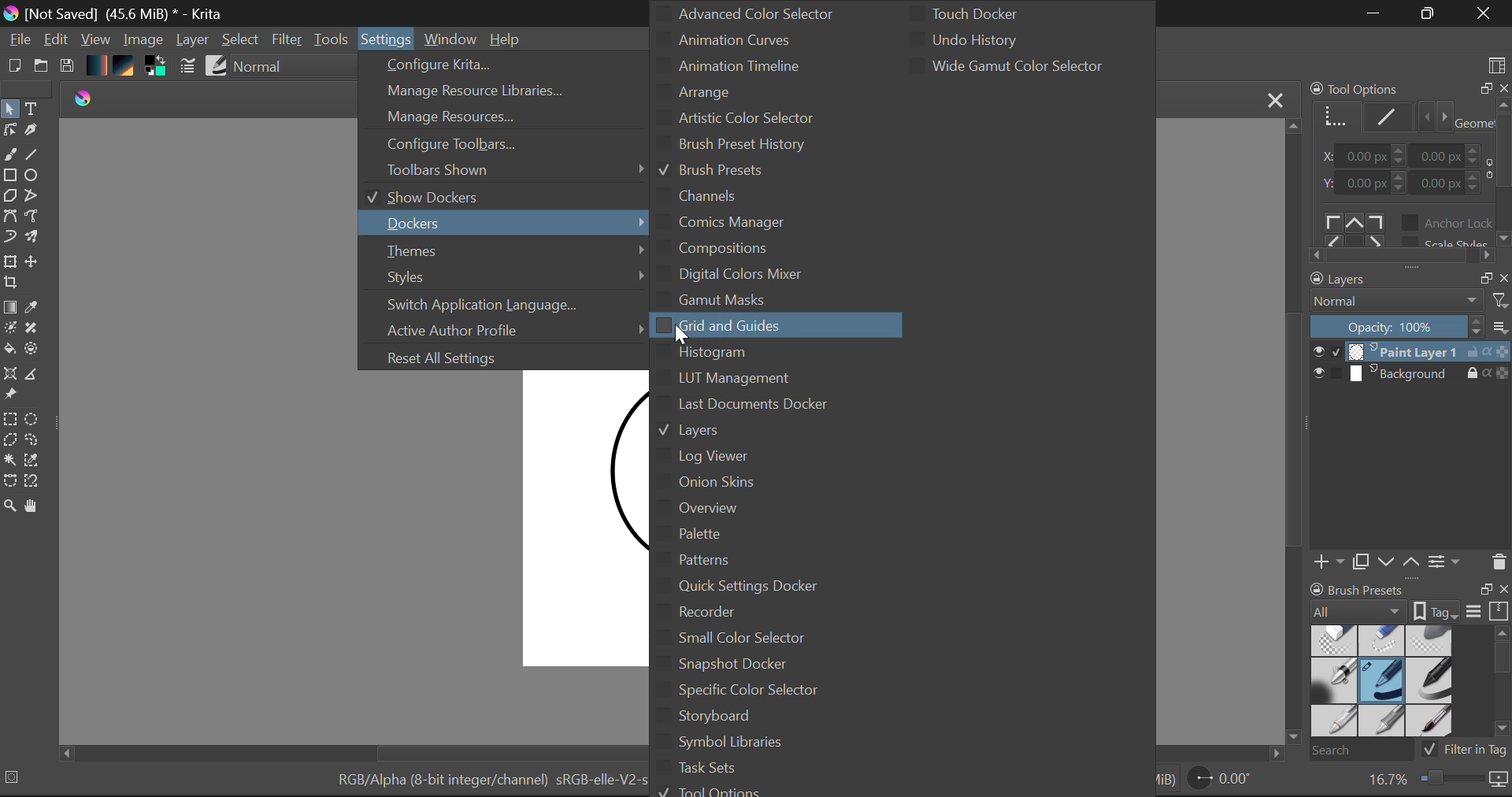  Describe the element at coordinates (68, 67) in the screenshot. I see `Save` at that location.